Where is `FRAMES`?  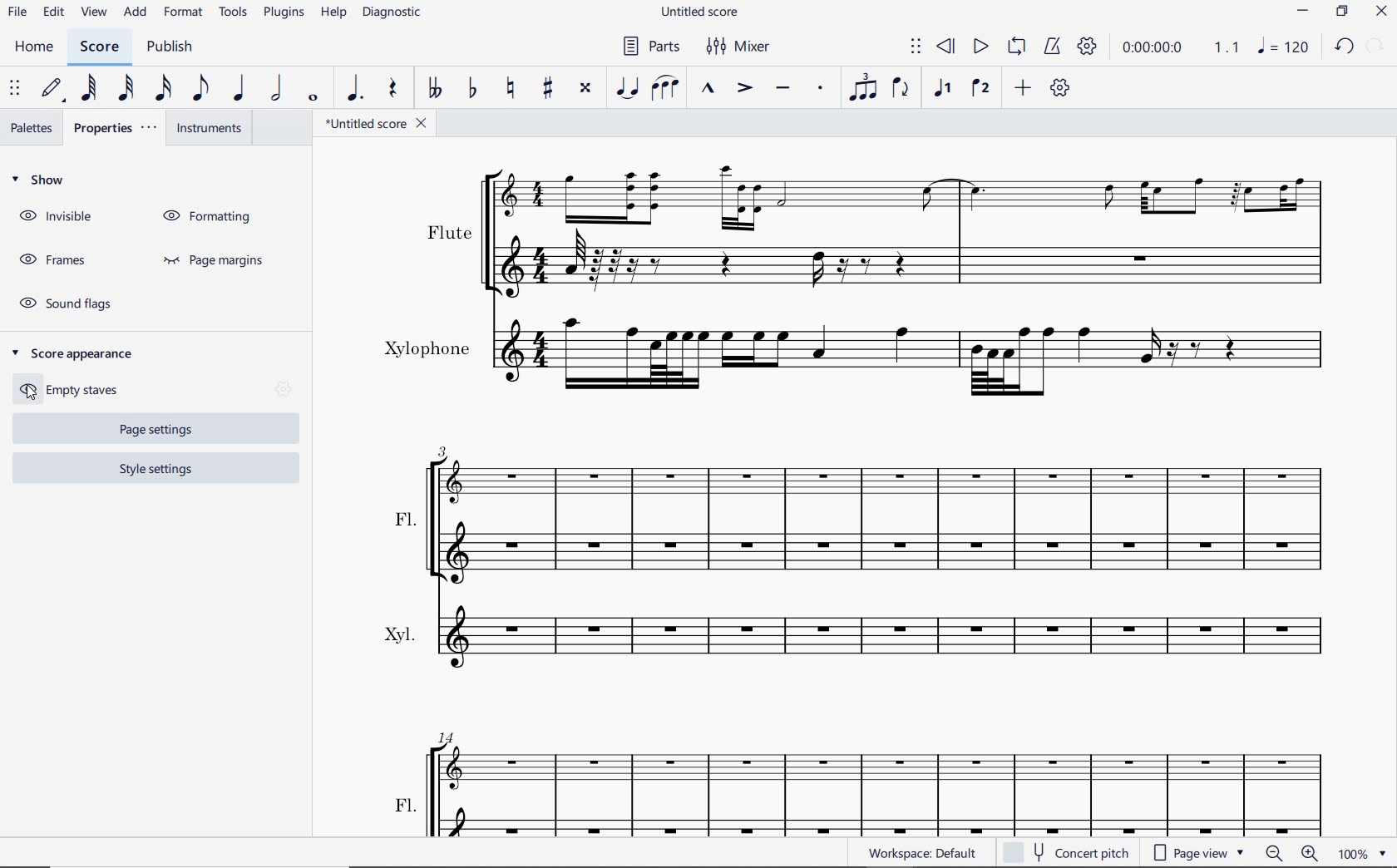
FRAMES is located at coordinates (51, 257).